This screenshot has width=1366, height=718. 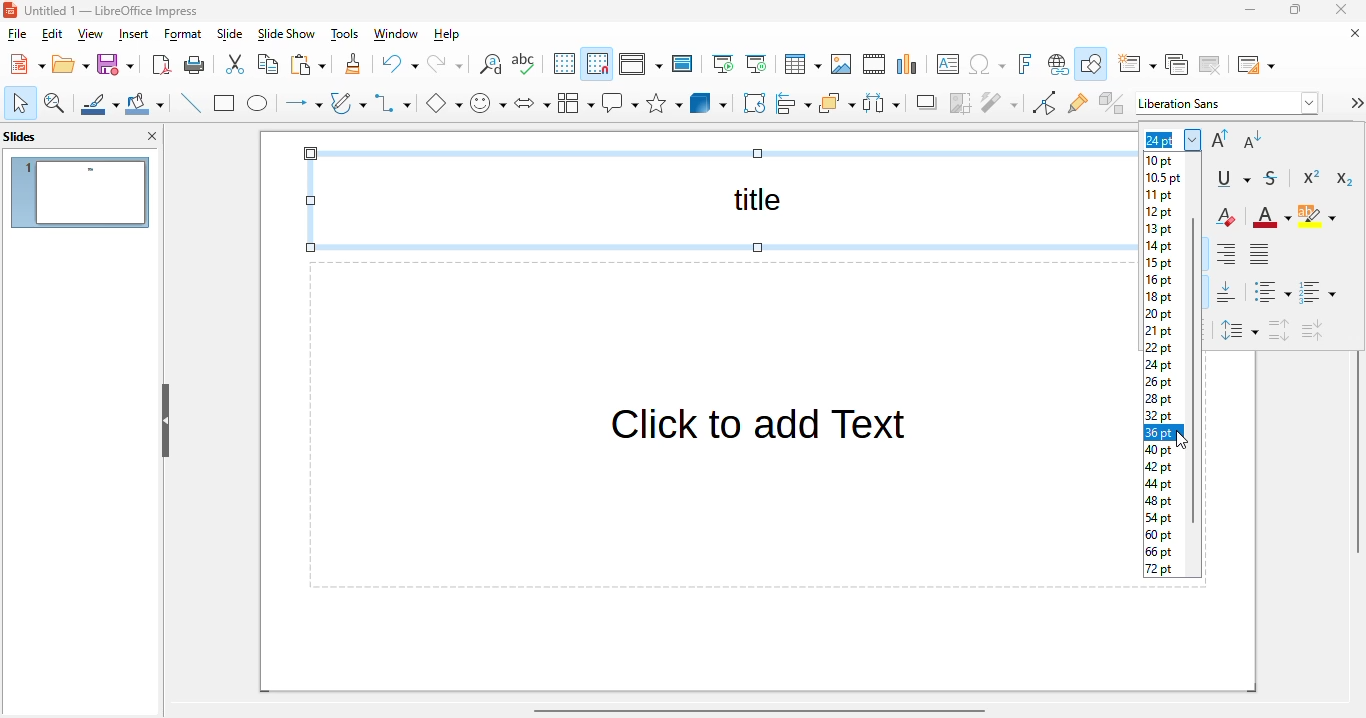 I want to click on toggle point edit mode, so click(x=1045, y=102).